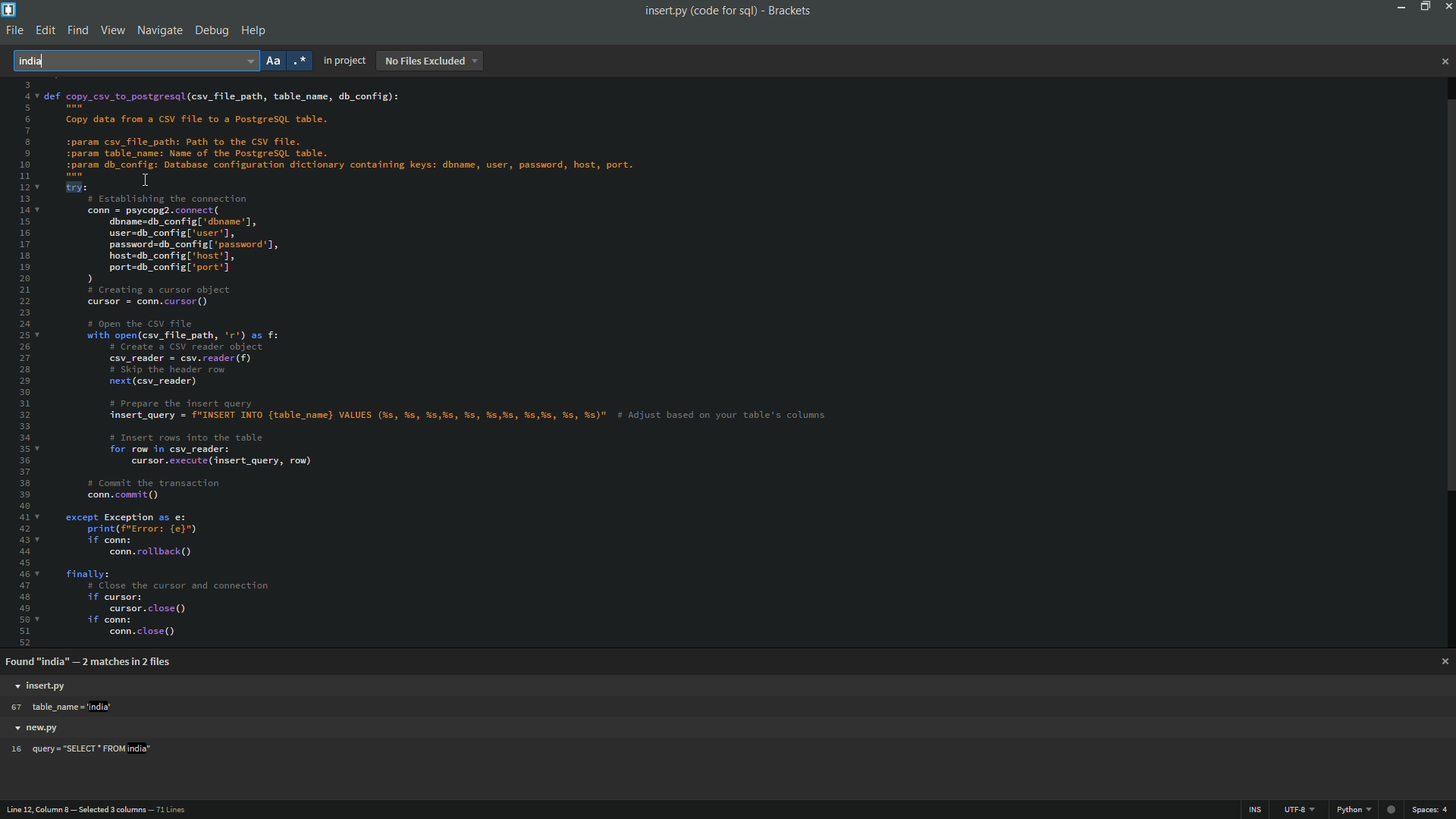  I want to click on text position, so click(80, 750).